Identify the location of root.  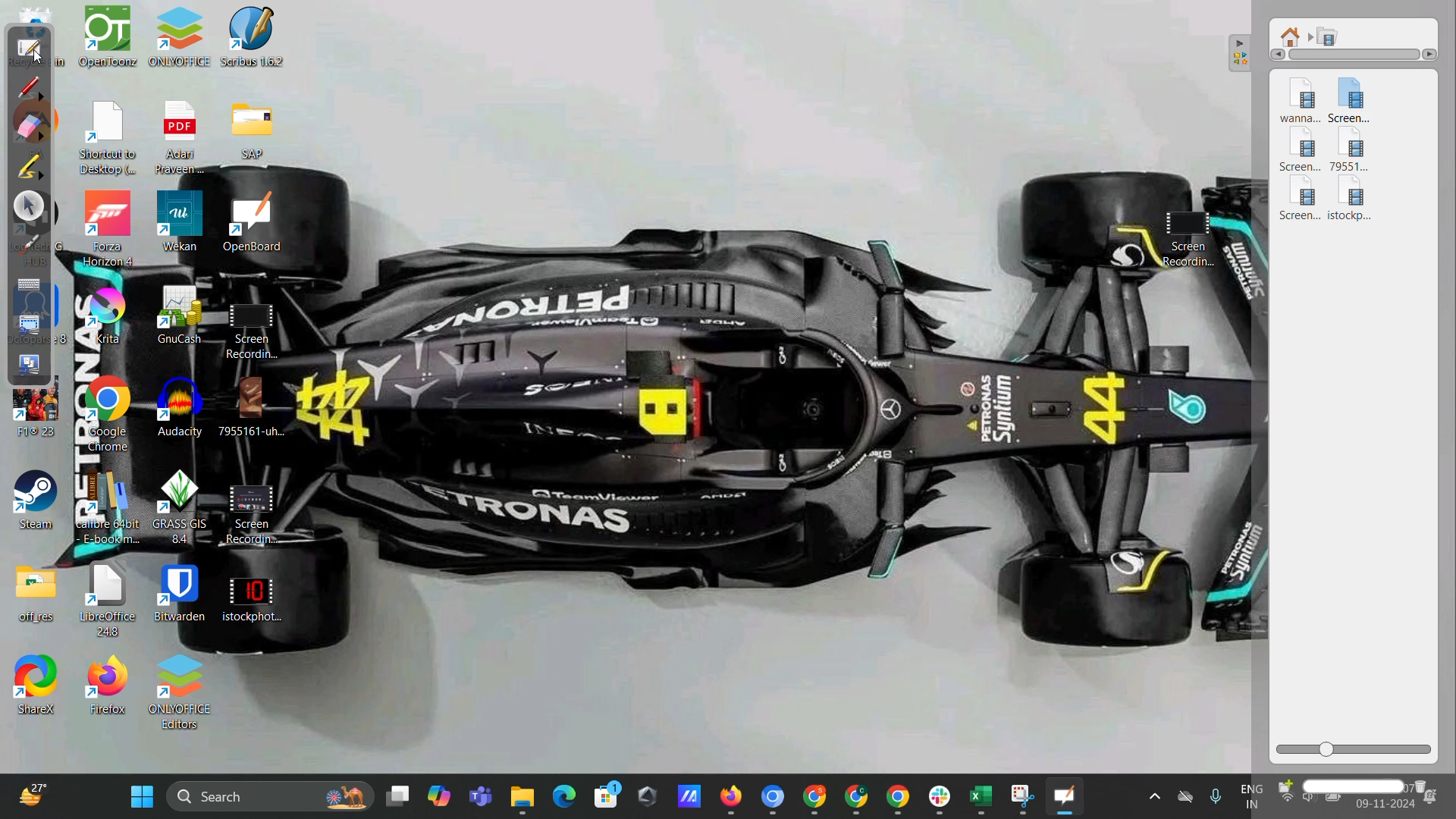
(1291, 35).